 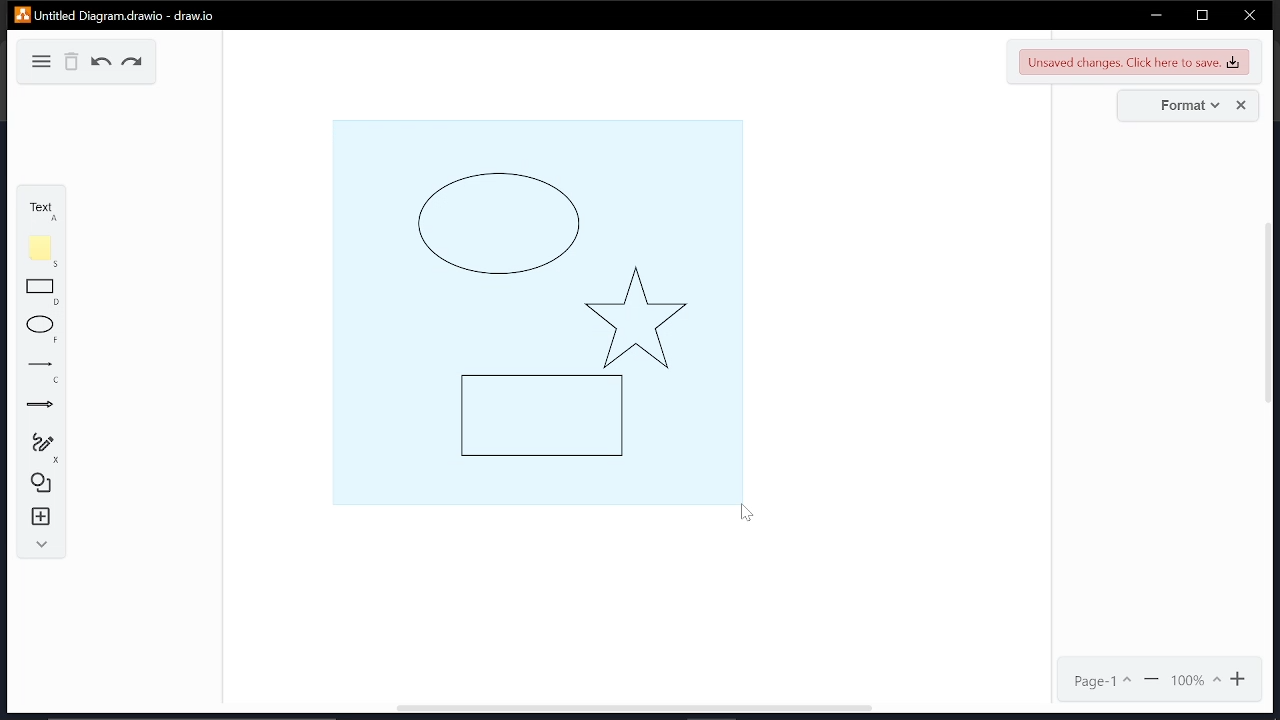 What do you see at coordinates (1153, 680) in the screenshot?
I see `zoom out` at bounding box center [1153, 680].